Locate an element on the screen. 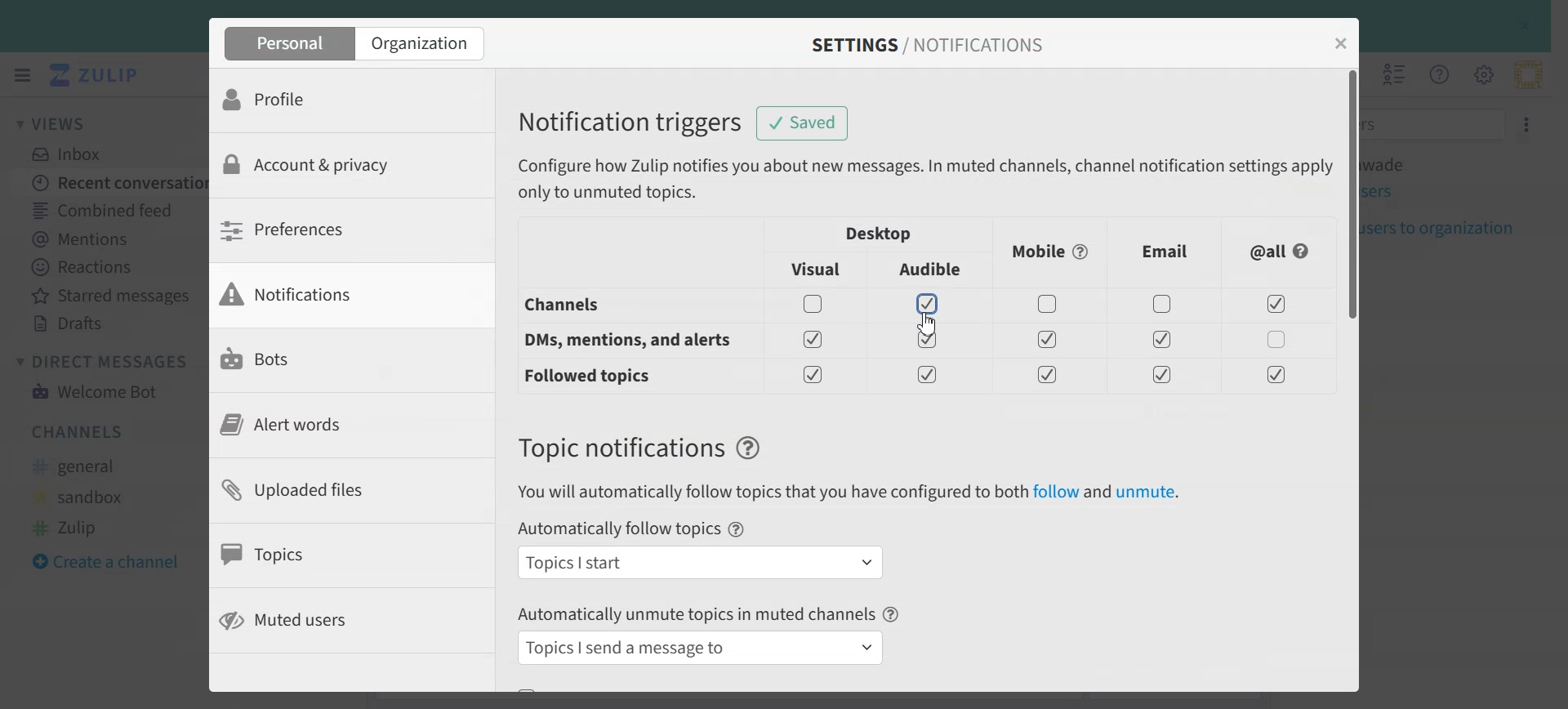  Personal is located at coordinates (287, 43).